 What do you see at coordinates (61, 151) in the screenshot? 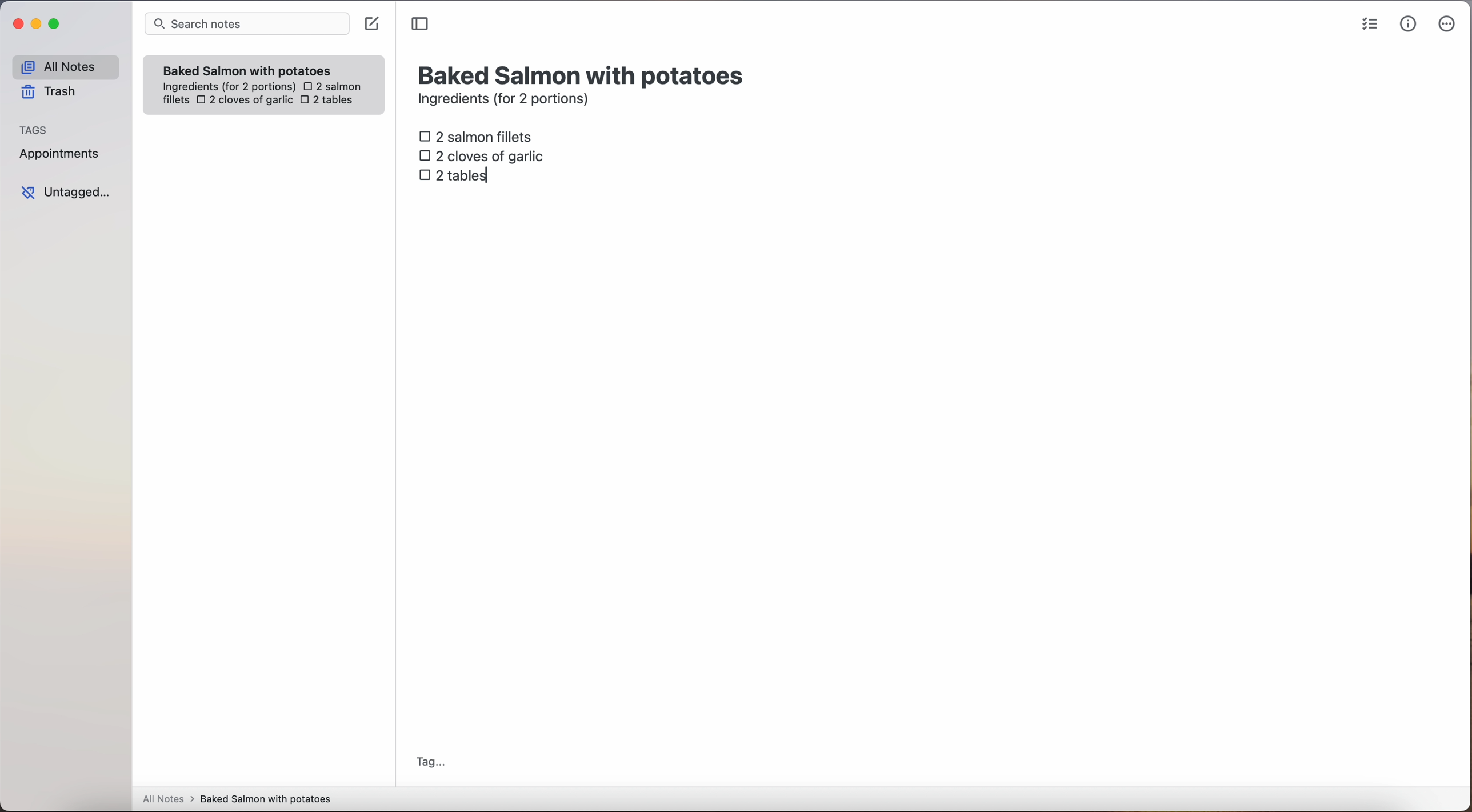
I see `appointments tag` at bounding box center [61, 151].